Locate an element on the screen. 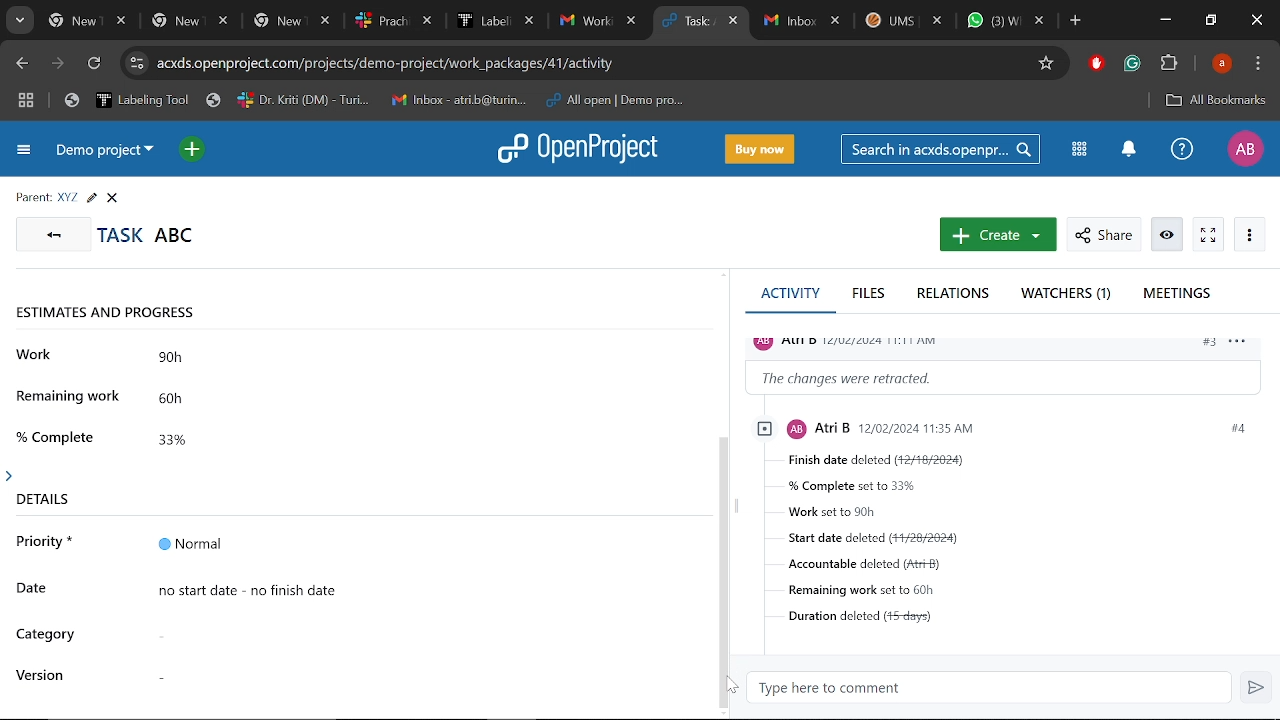 This screenshot has height=720, width=1280. Close is located at coordinates (1256, 21).